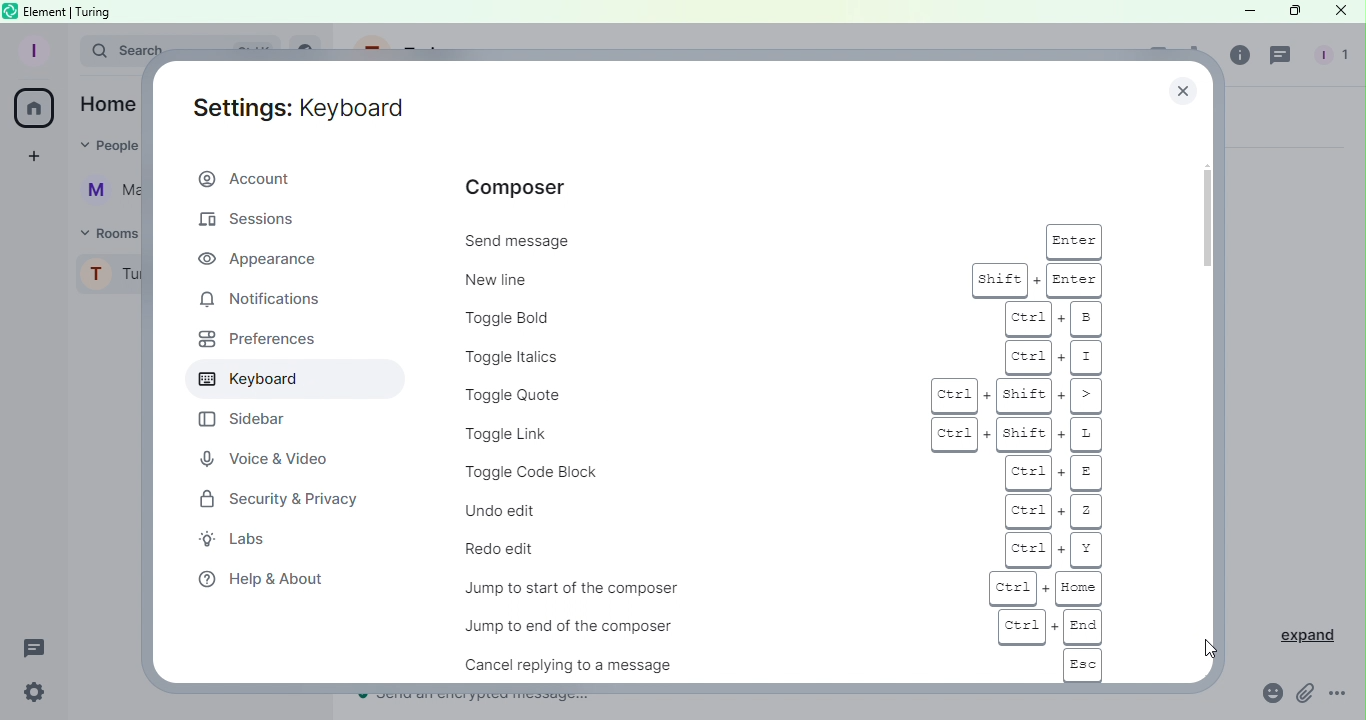 Image resolution: width=1366 pixels, height=720 pixels. What do you see at coordinates (1053, 356) in the screenshot?
I see `ctrl + i` at bounding box center [1053, 356].